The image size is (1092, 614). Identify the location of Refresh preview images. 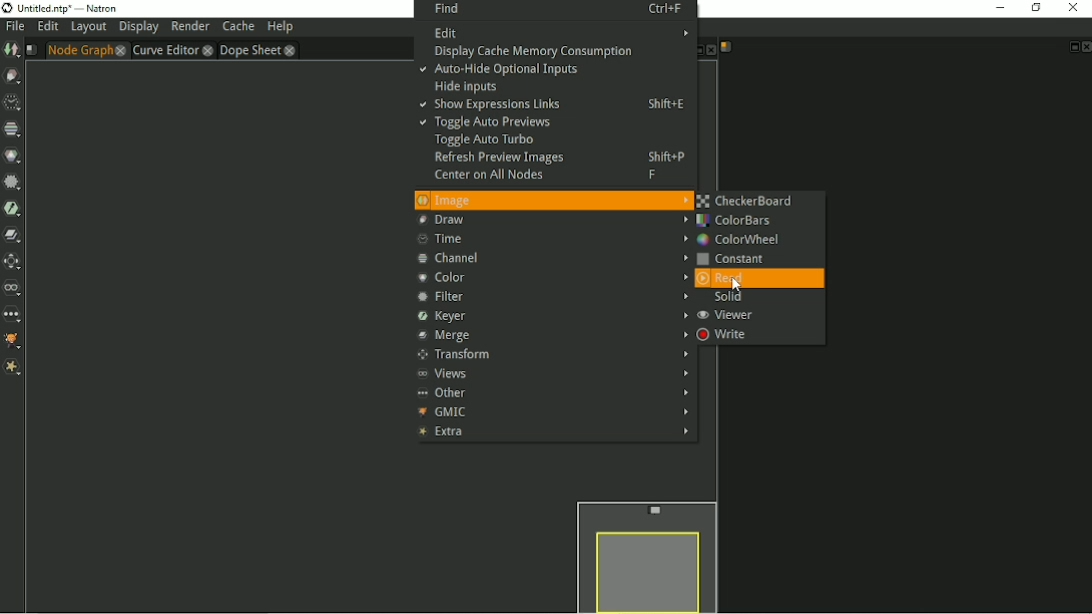
(560, 157).